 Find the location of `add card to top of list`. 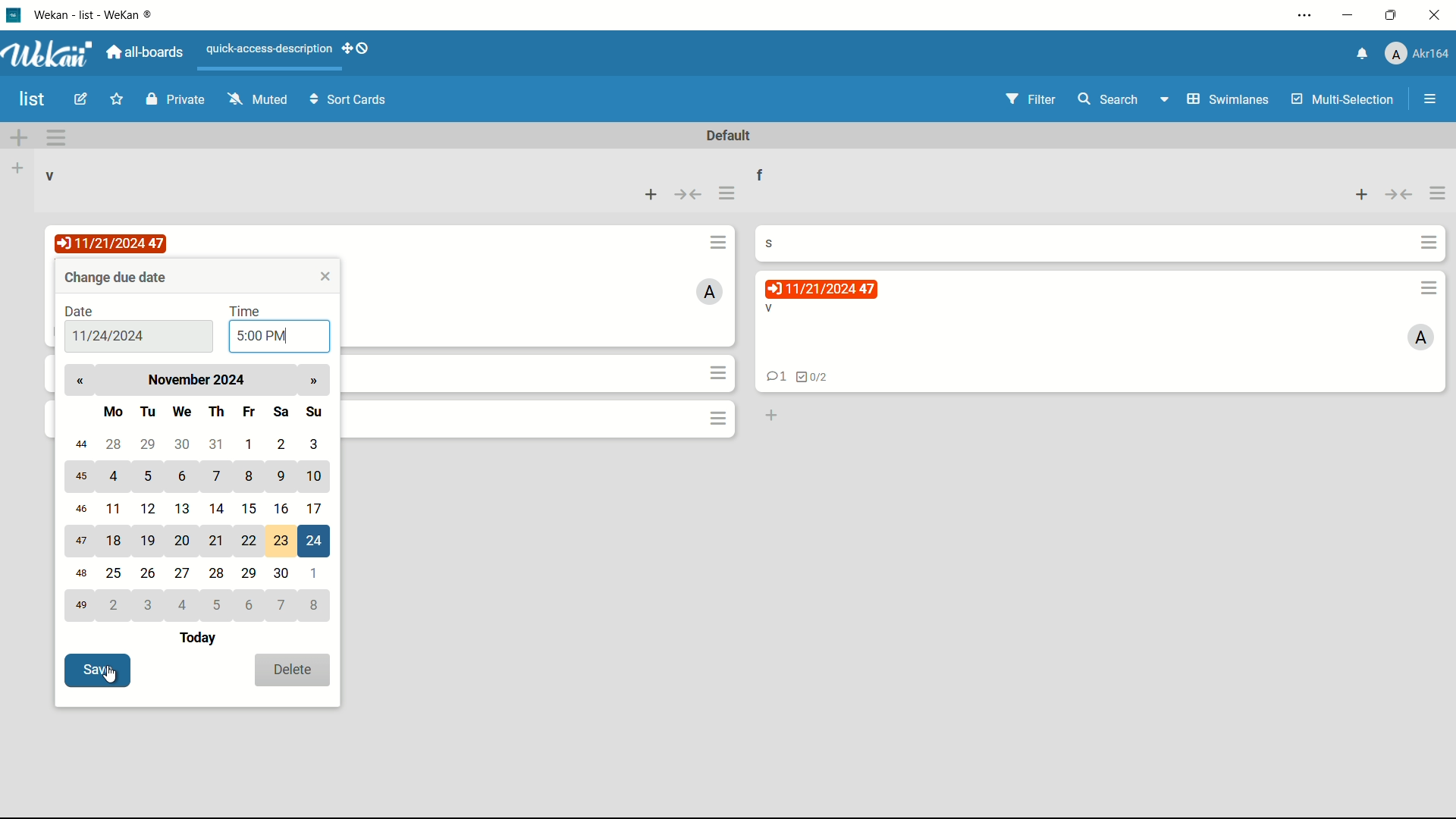

add card to top of list is located at coordinates (653, 193).